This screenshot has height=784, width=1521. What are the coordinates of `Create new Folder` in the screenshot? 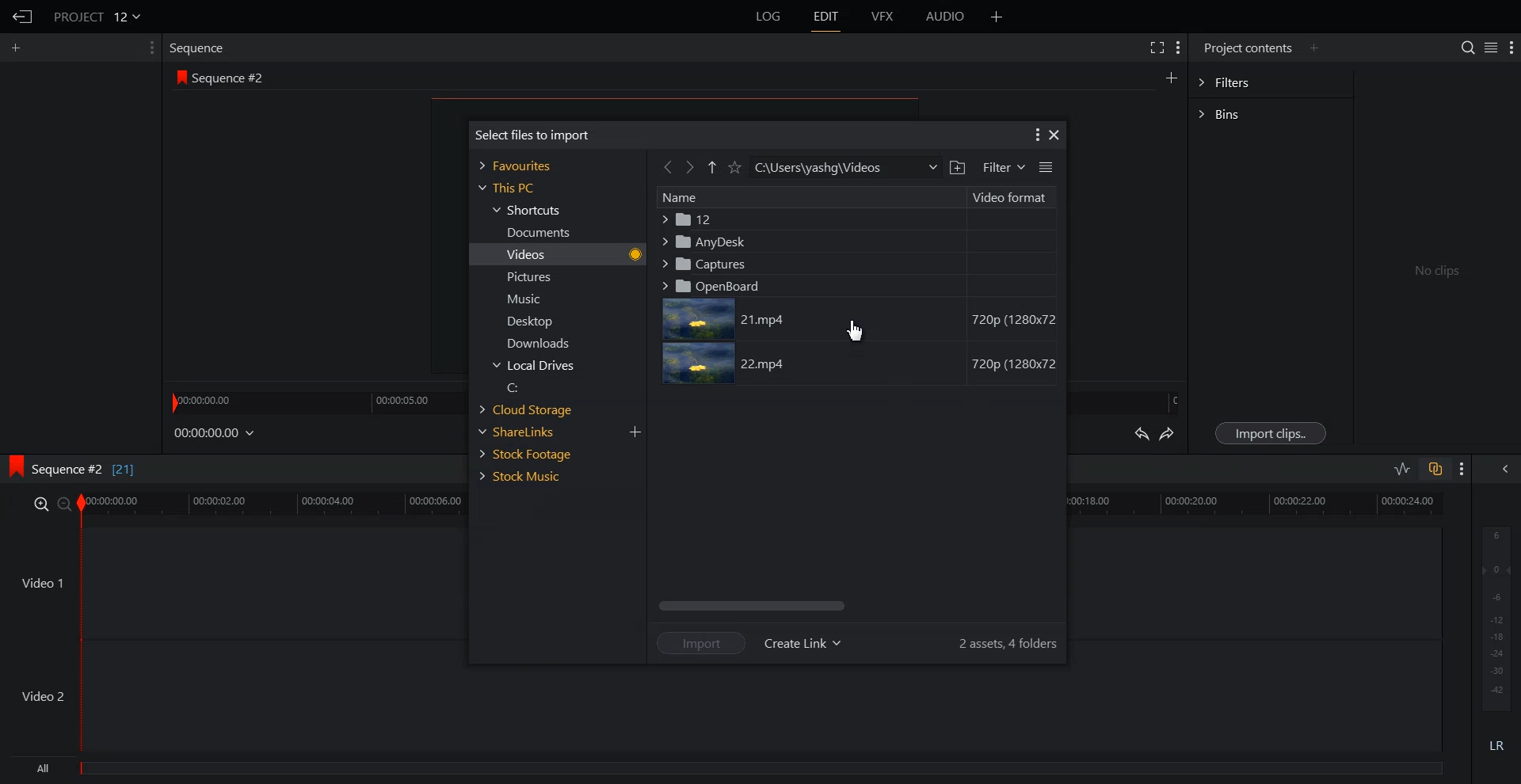 It's located at (957, 168).